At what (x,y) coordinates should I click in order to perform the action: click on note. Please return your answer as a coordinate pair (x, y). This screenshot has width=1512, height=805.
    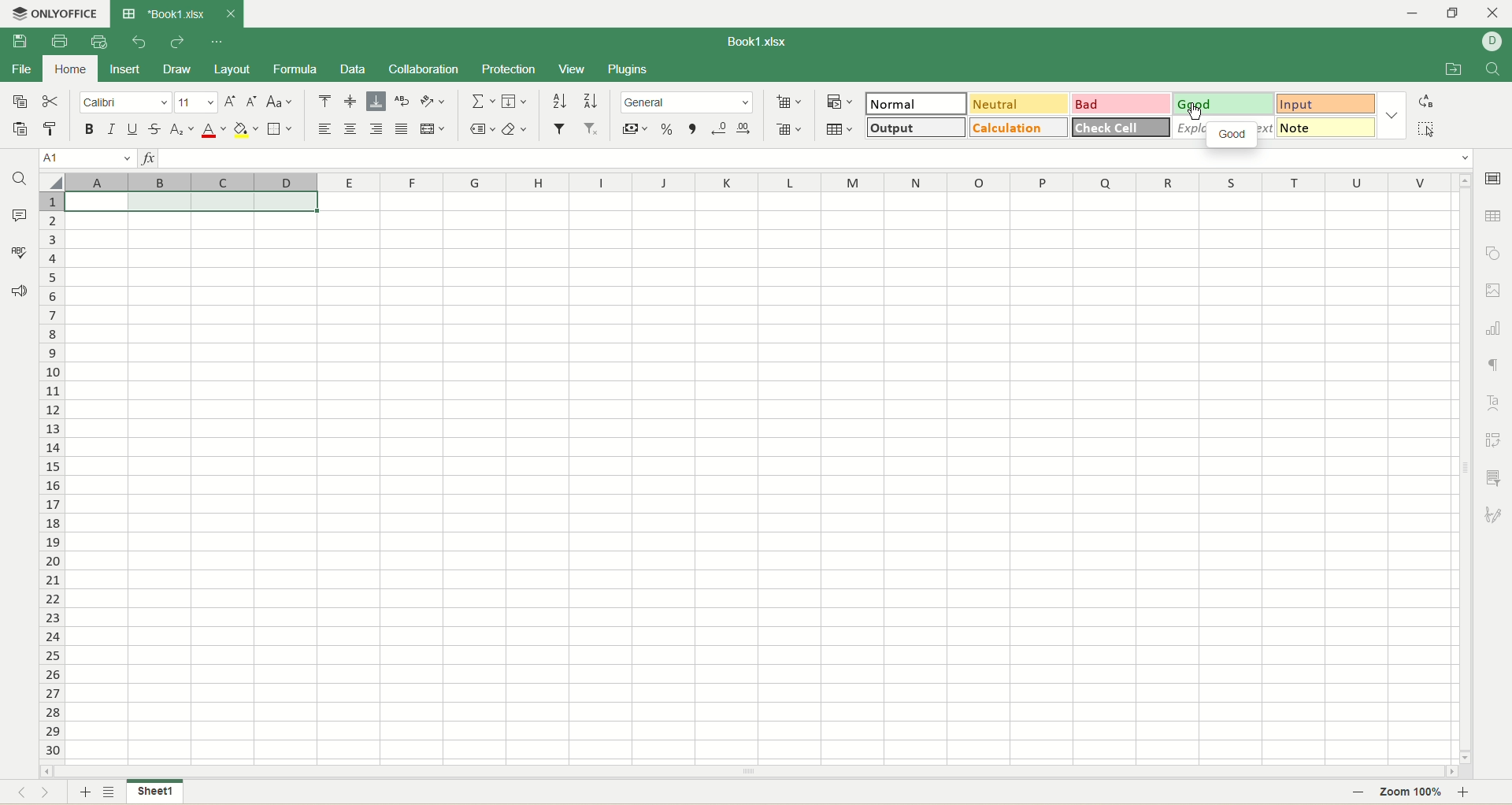
    Looking at the image, I should click on (1324, 128).